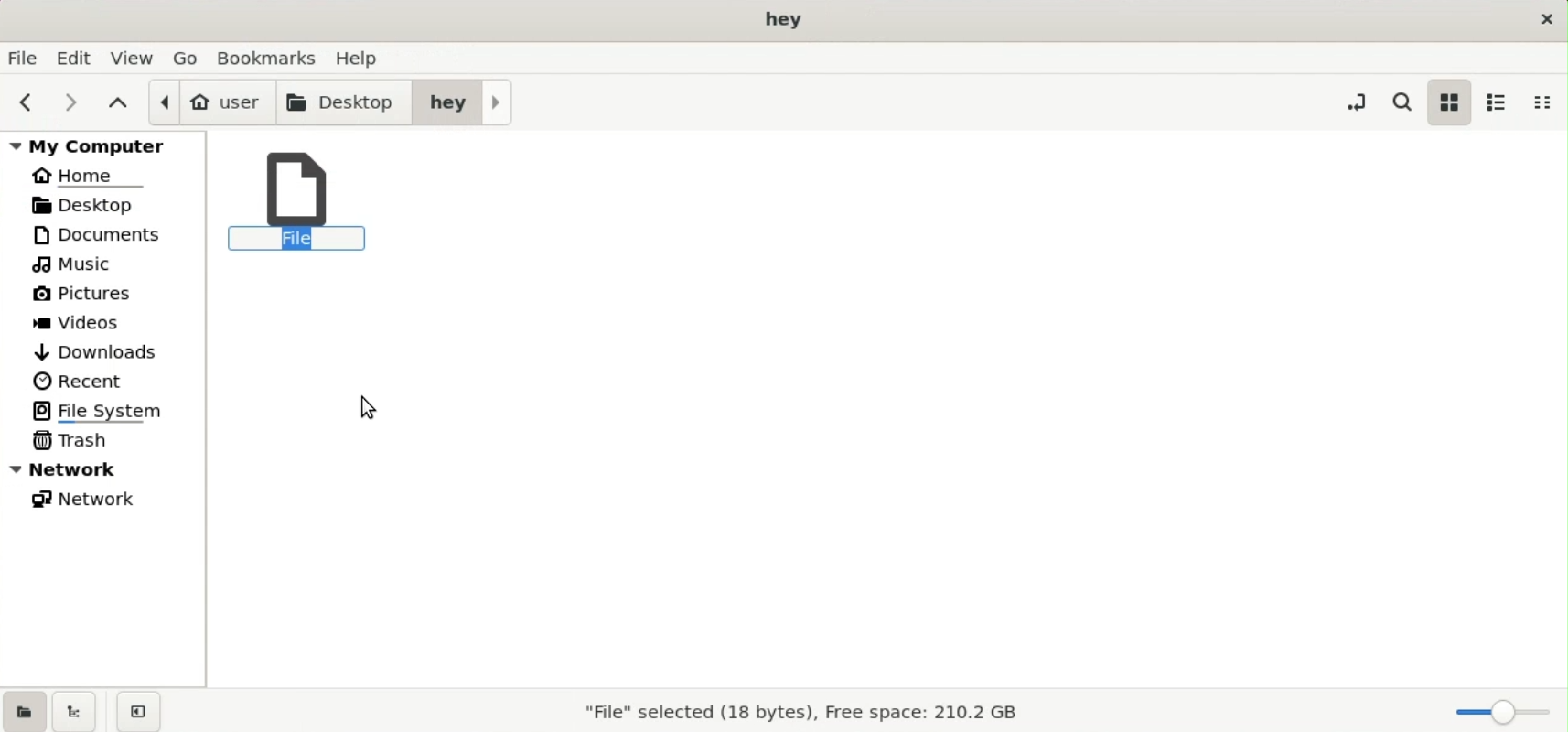 This screenshot has width=1568, height=732. What do you see at coordinates (188, 57) in the screenshot?
I see `go` at bounding box center [188, 57].